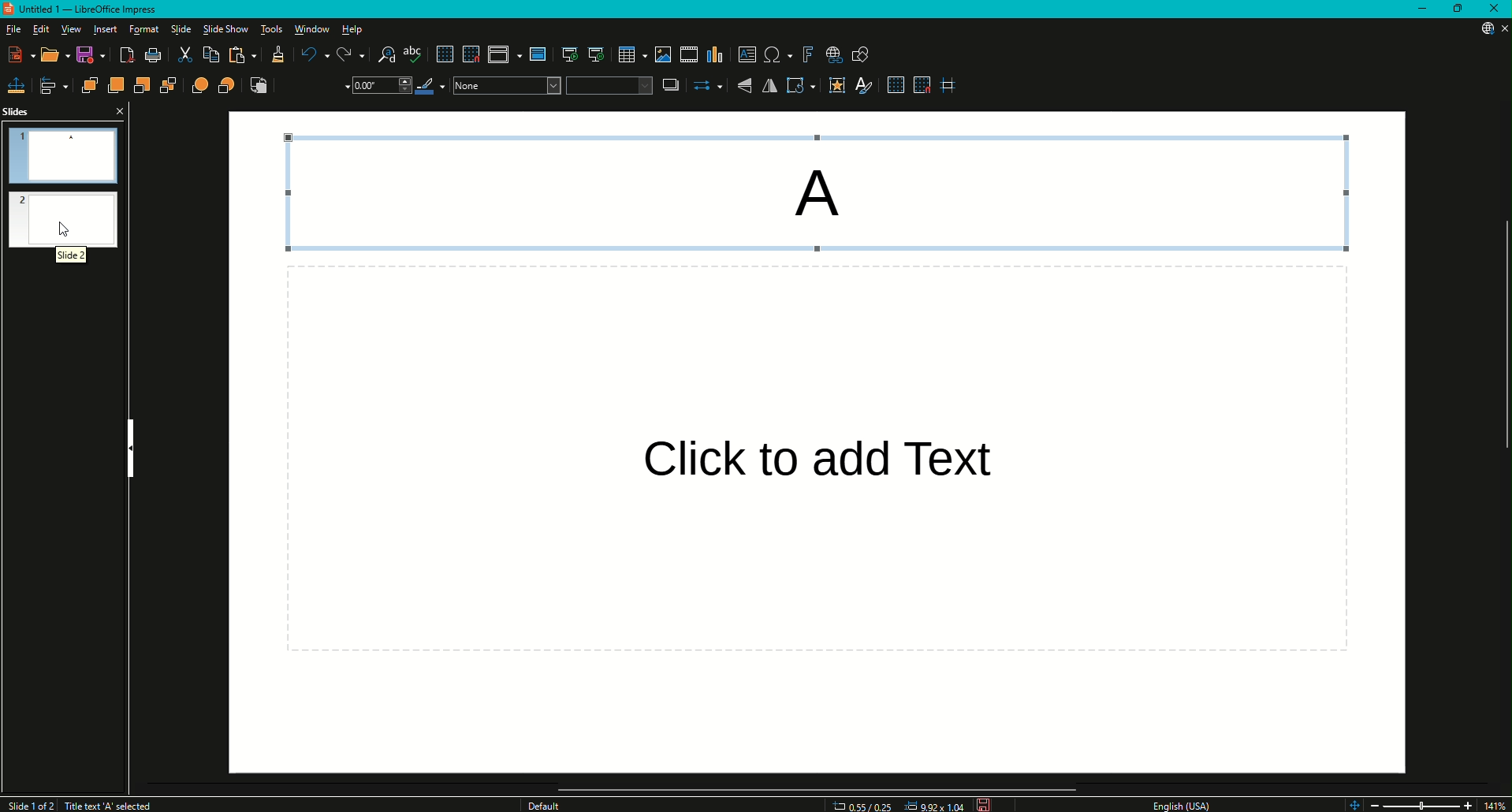  What do you see at coordinates (126, 55) in the screenshot?
I see `Export Directly as PDF` at bounding box center [126, 55].